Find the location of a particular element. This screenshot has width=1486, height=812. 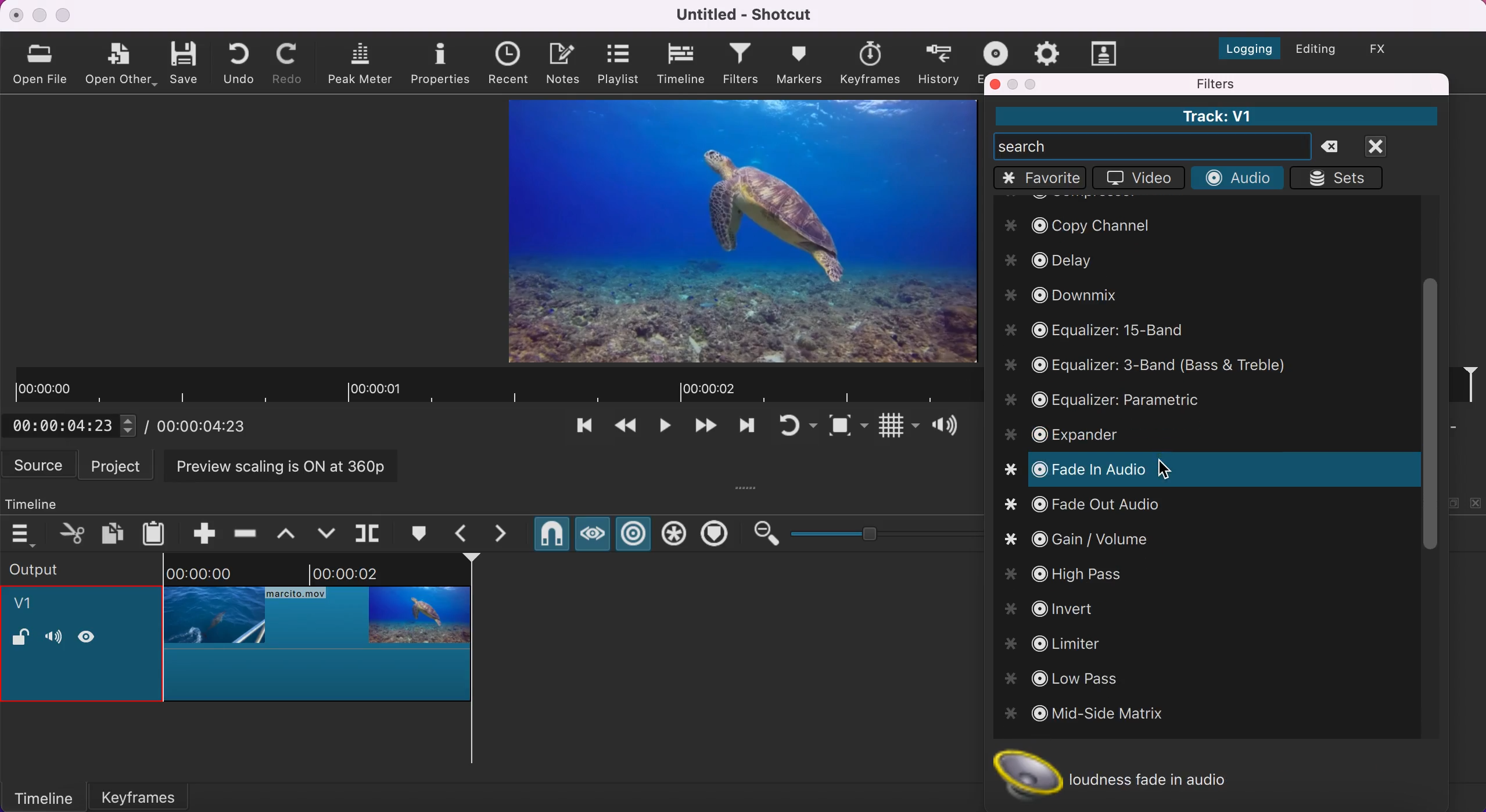

clip is located at coordinates (744, 231).